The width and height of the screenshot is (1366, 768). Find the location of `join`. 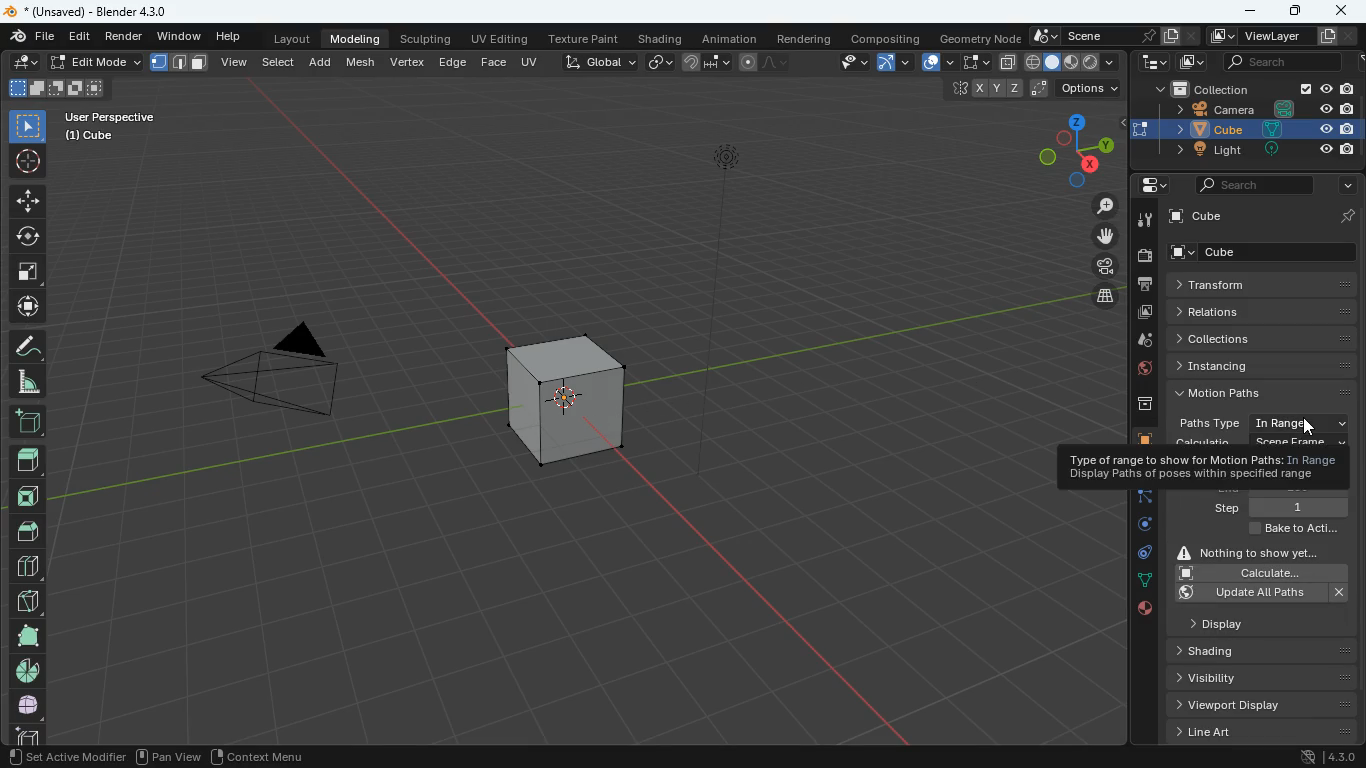

join is located at coordinates (707, 63).